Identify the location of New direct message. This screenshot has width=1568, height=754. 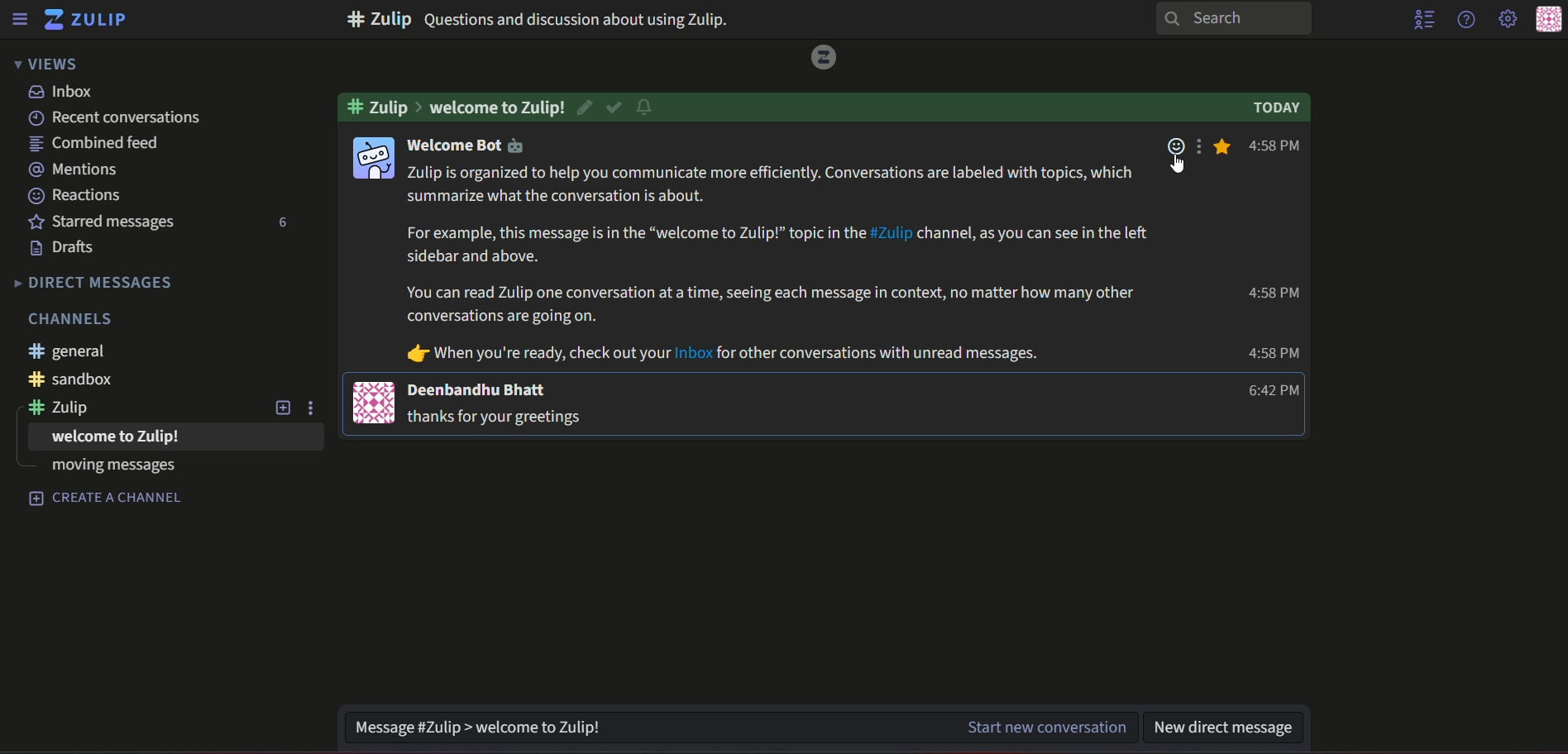
(1230, 725).